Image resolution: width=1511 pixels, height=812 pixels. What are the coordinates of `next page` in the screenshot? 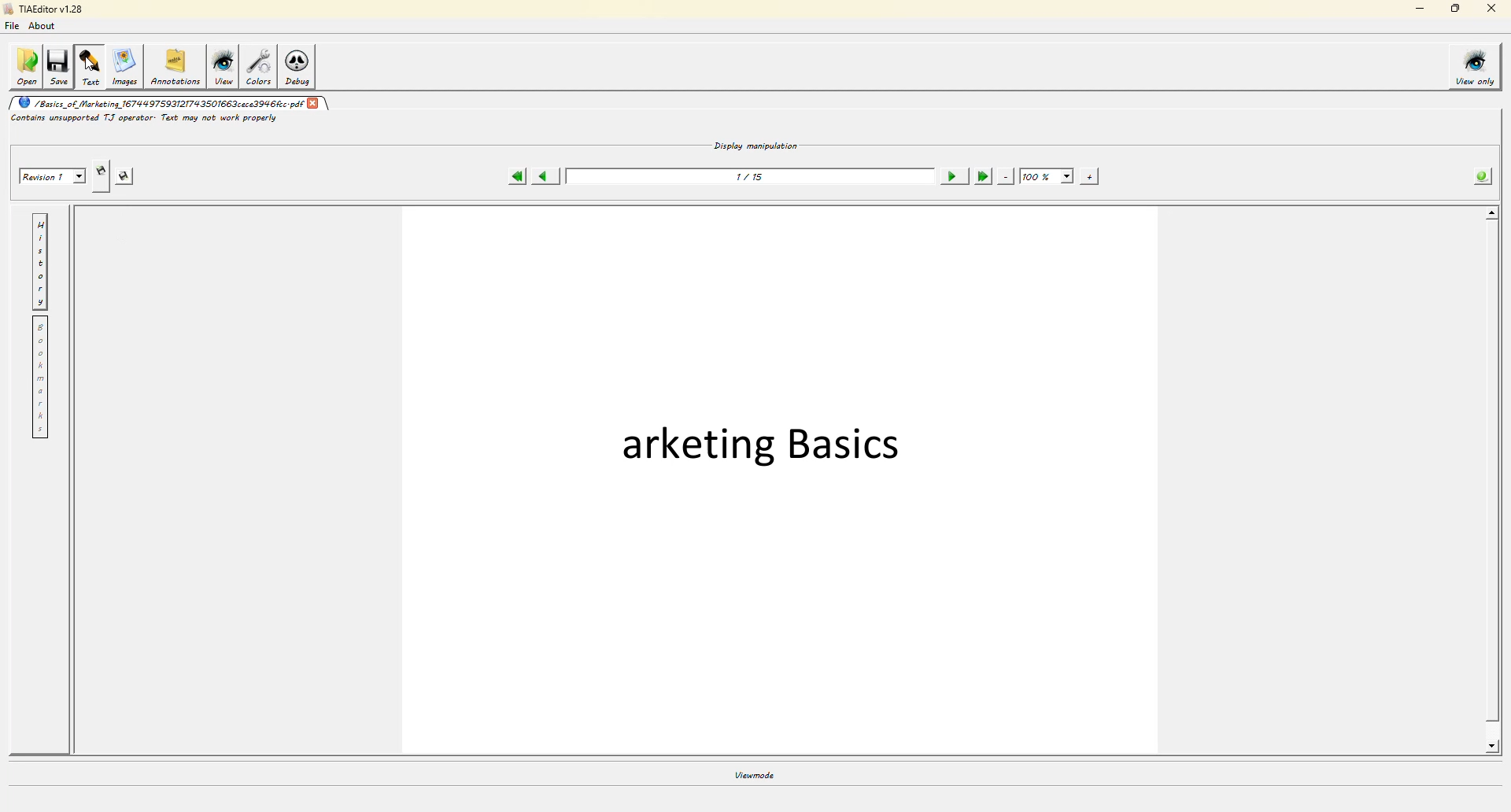 It's located at (951, 175).